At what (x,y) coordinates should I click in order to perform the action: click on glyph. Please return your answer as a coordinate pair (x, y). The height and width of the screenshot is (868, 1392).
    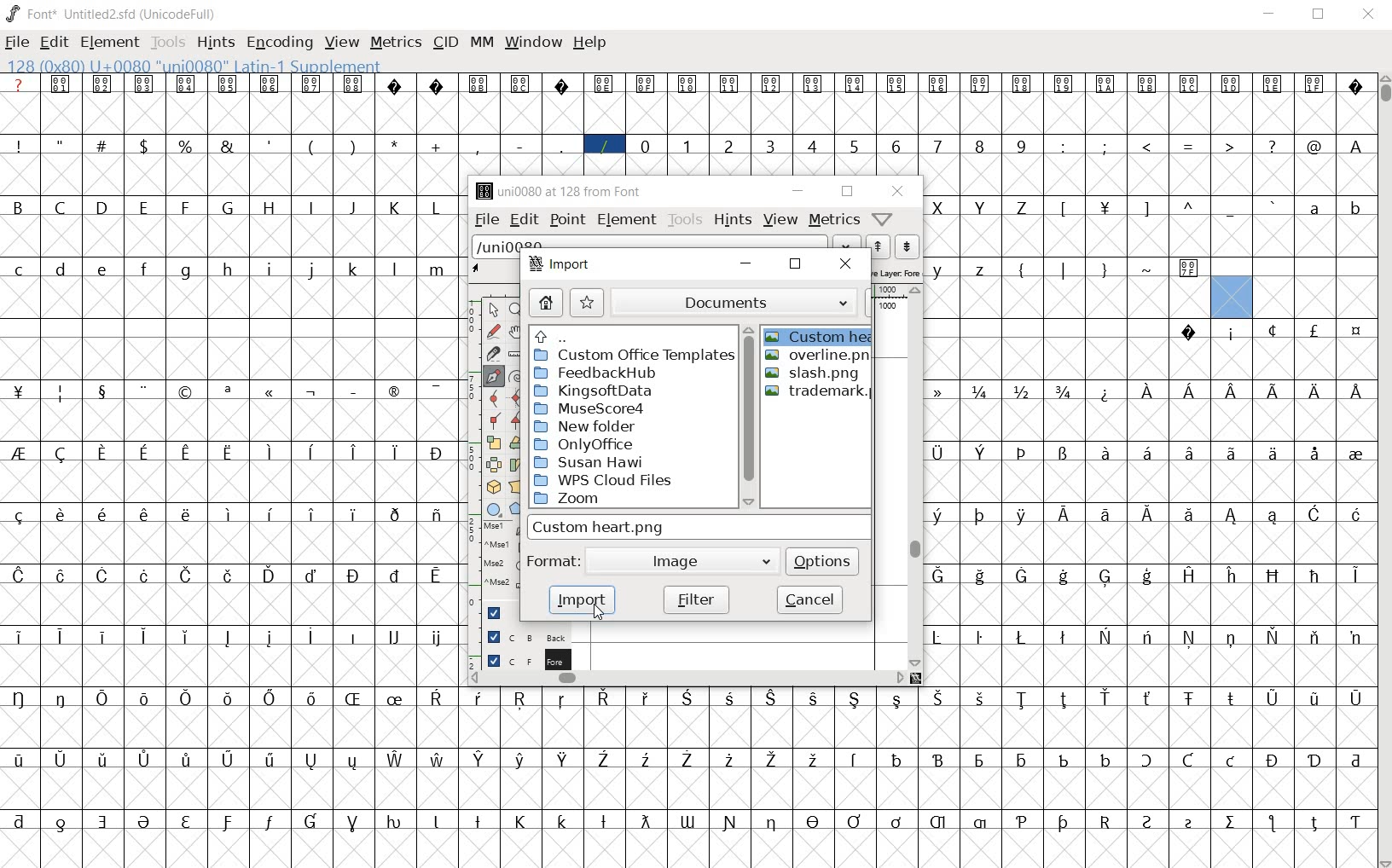
    Looking at the image, I should click on (395, 453).